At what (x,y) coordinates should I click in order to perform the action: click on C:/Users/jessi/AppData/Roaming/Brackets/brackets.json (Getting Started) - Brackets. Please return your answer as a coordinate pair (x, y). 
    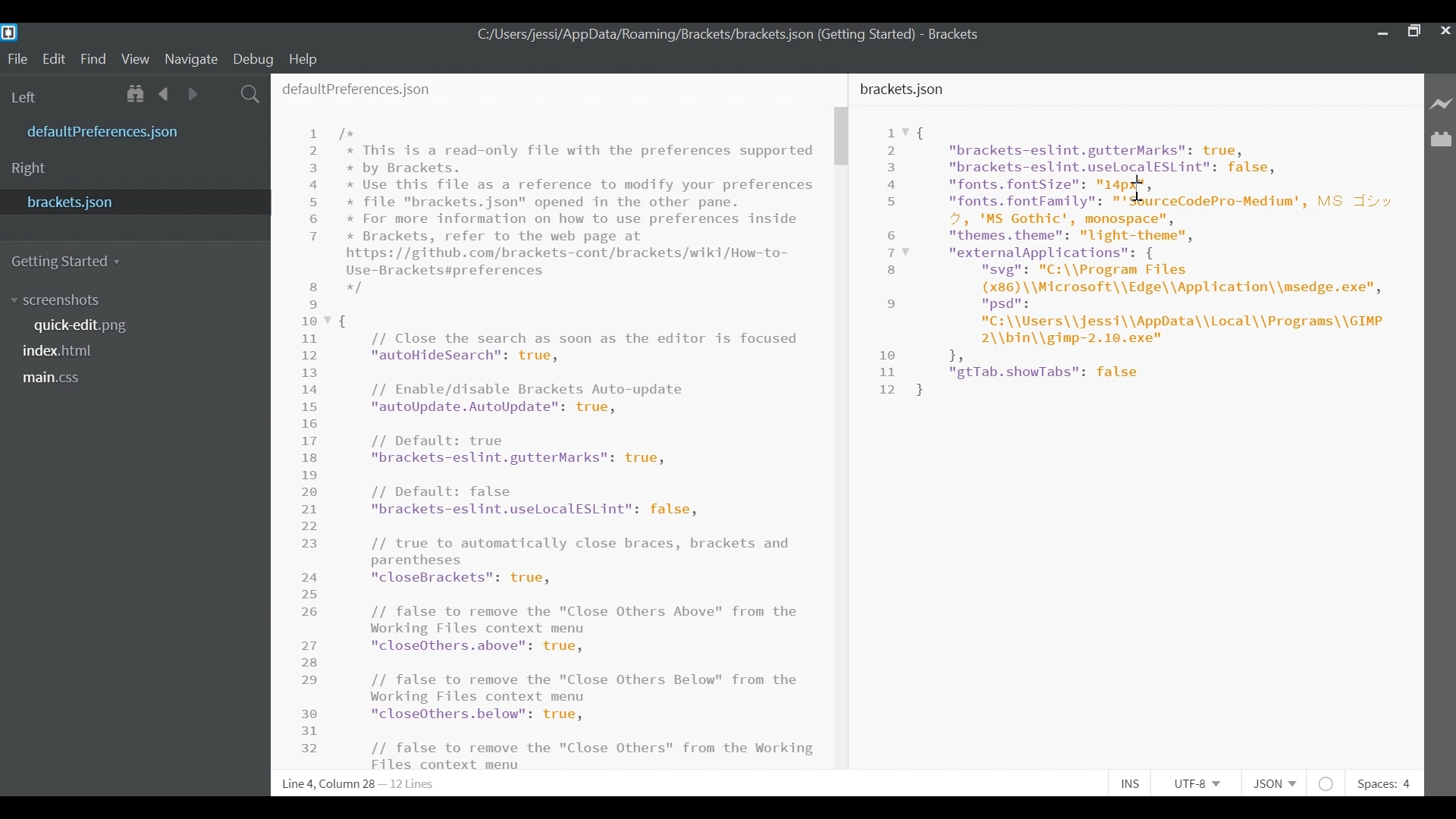
    Looking at the image, I should click on (729, 37).